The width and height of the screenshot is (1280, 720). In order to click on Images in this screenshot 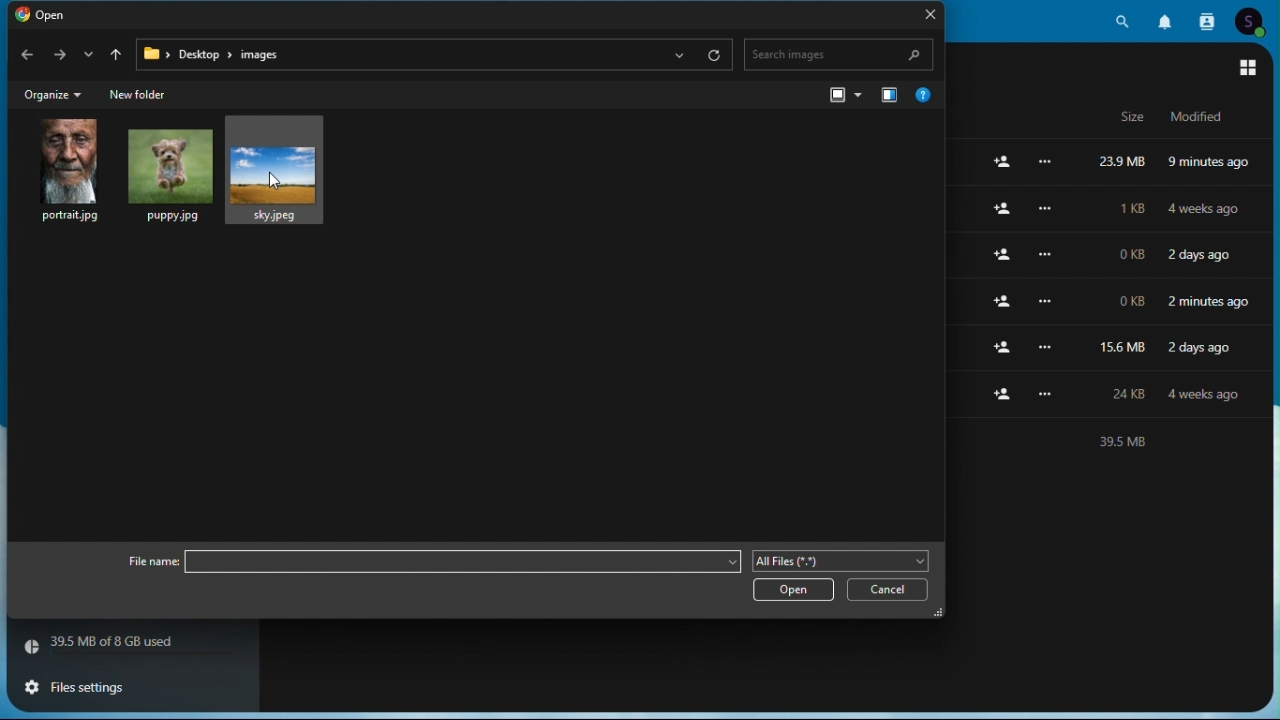, I will do `click(278, 171)`.